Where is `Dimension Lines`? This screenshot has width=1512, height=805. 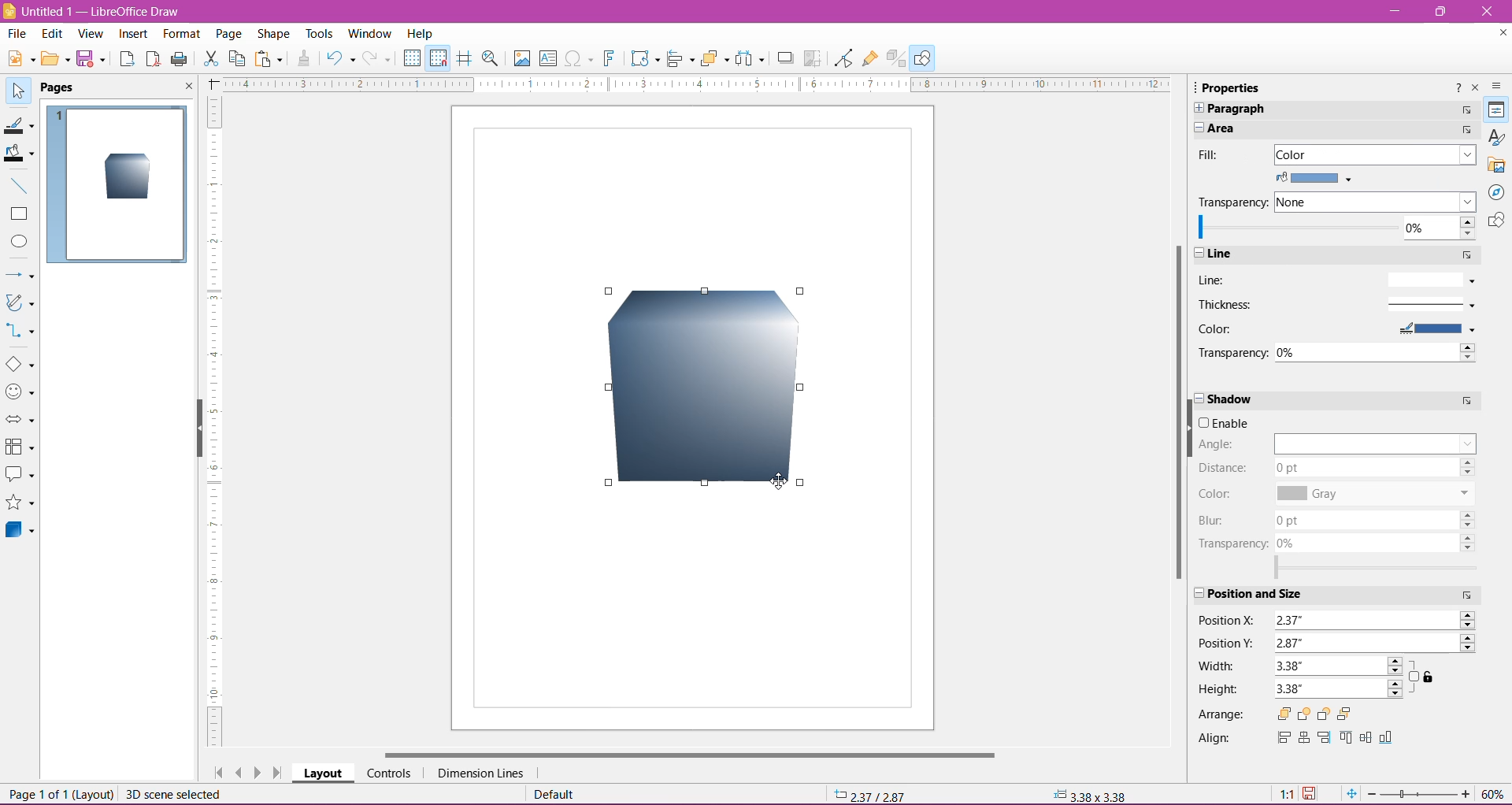
Dimension Lines is located at coordinates (482, 773).